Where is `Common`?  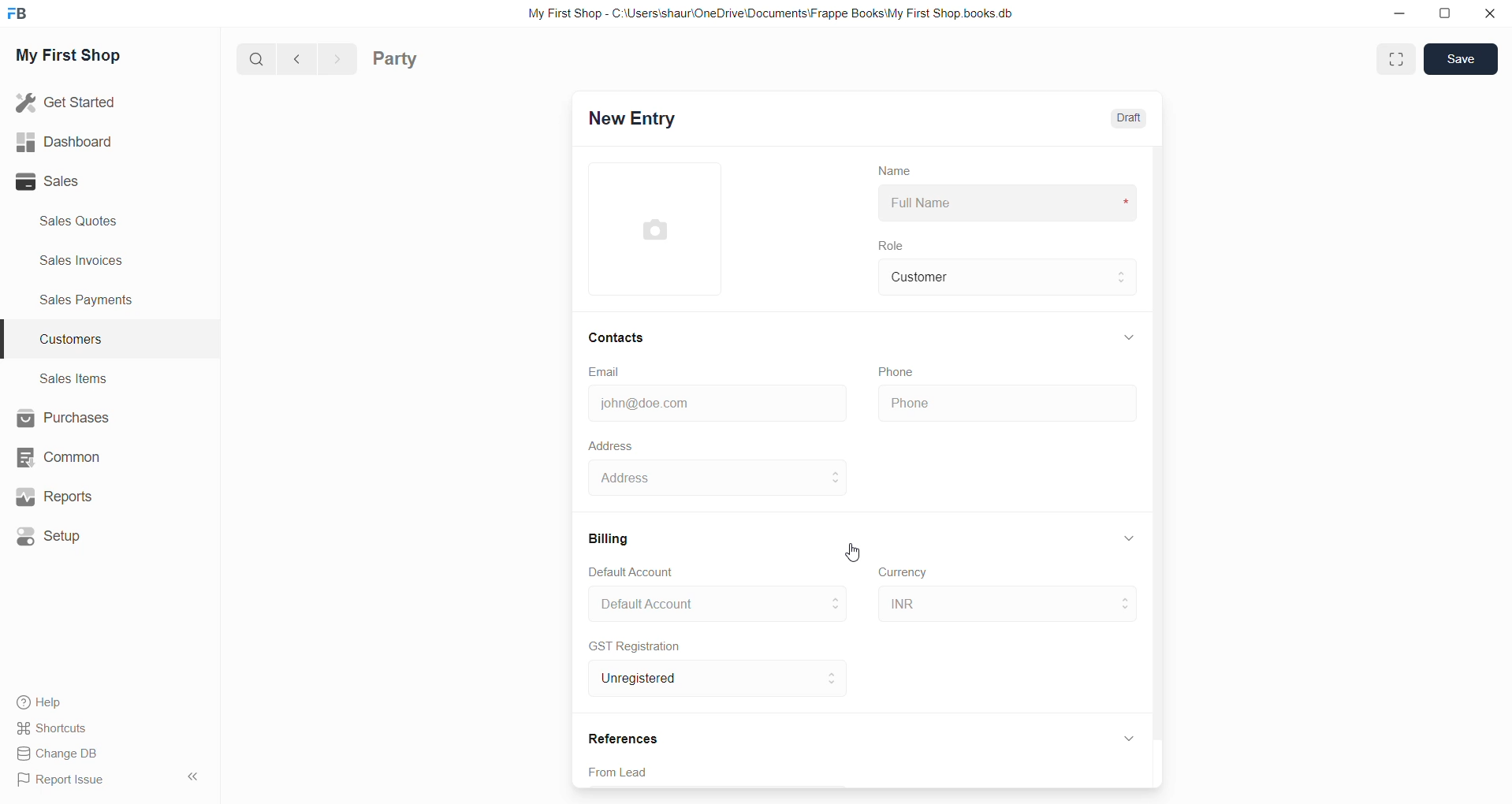 Common is located at coordinates (61, 458).